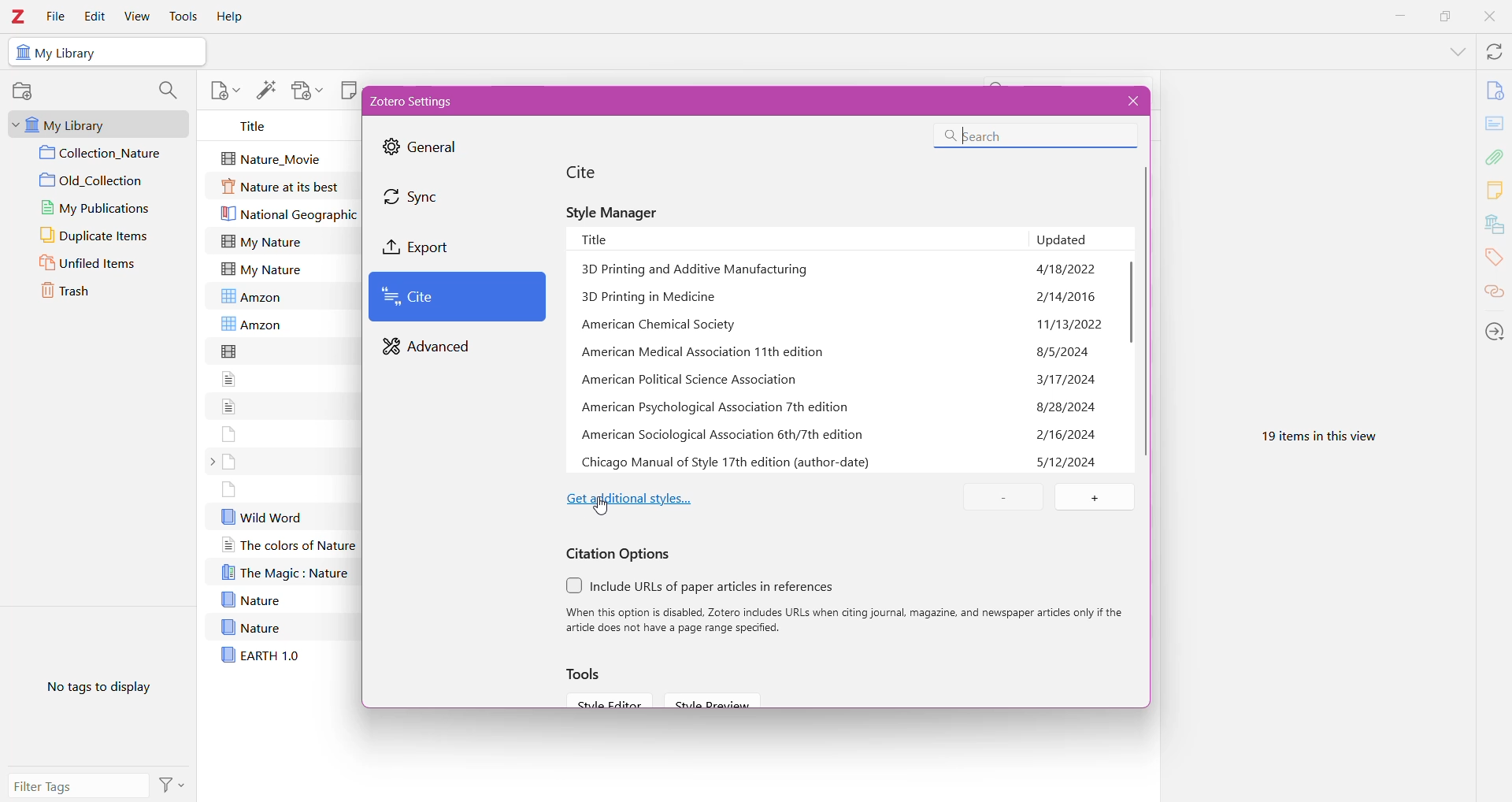 This screenshot has height=802, width=1512. Describe the element at coordinates (80, 786) in the screenshot. I see `Filter Tags` at that location.